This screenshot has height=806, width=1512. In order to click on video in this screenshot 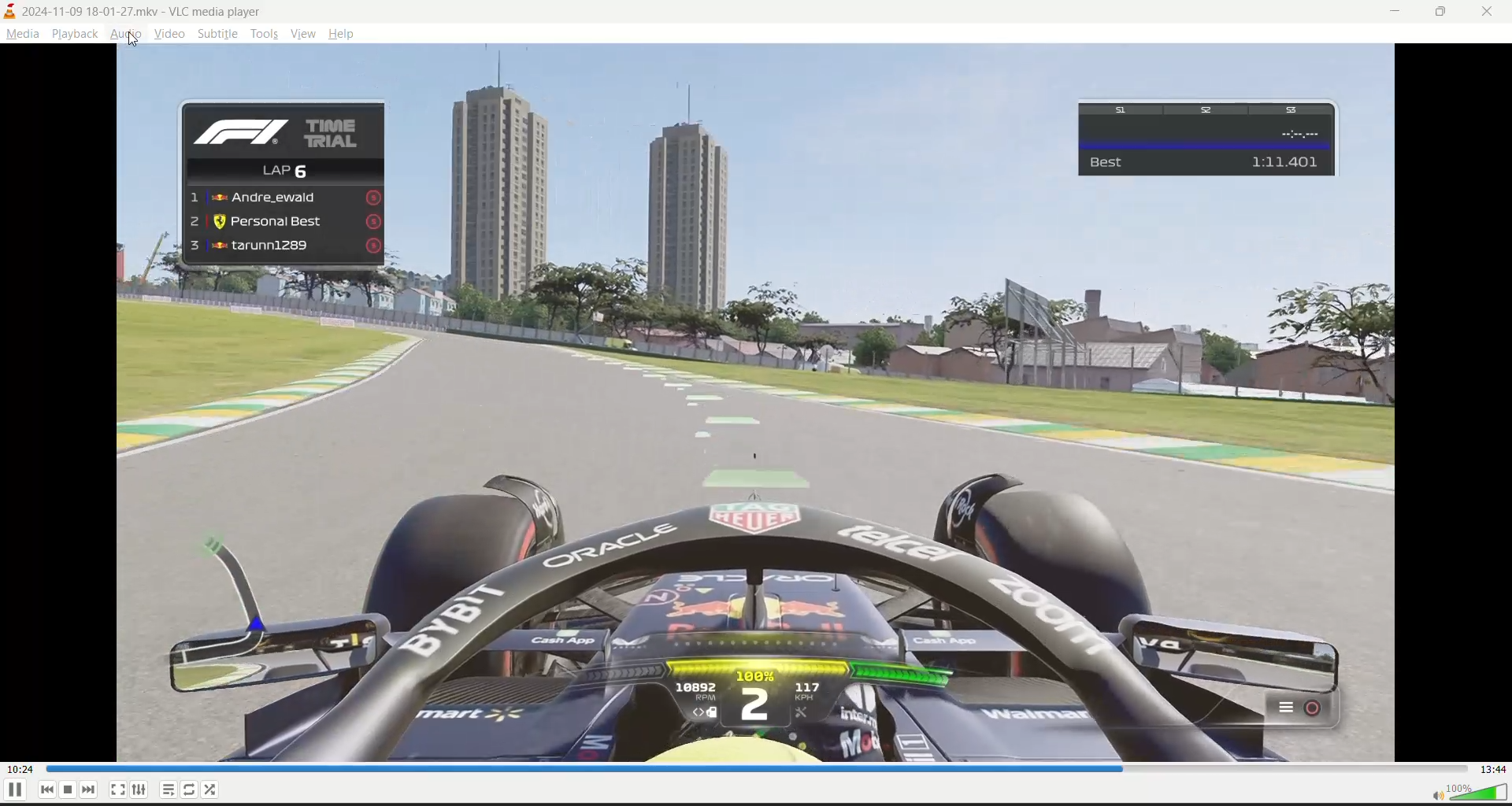, I will do `click(171, 34)`.